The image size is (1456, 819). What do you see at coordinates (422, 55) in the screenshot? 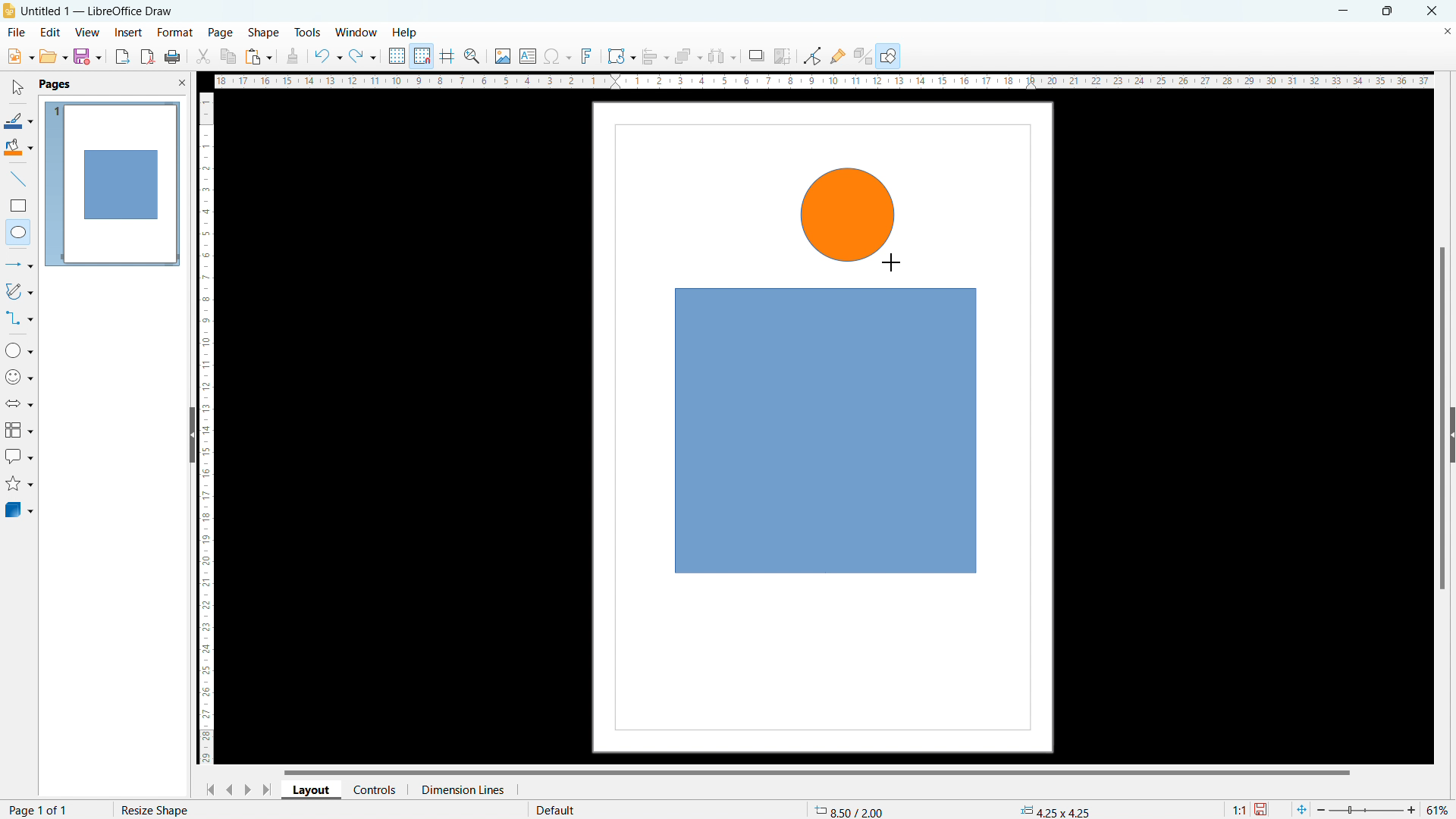
I see `snap to grid` at bounding box center [422, 55].